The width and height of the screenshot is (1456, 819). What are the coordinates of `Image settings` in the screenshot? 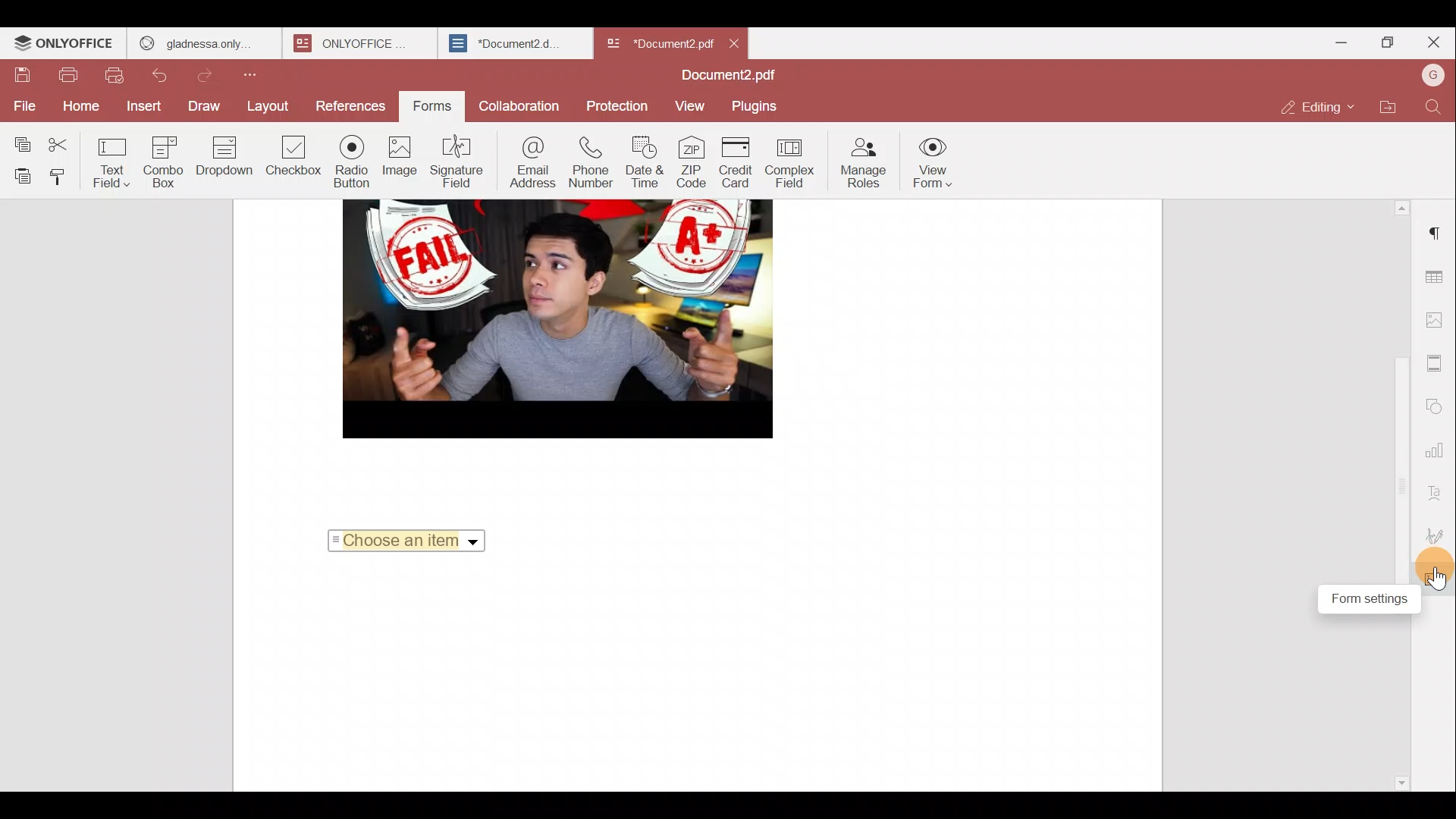 It's located at (1437, 321).